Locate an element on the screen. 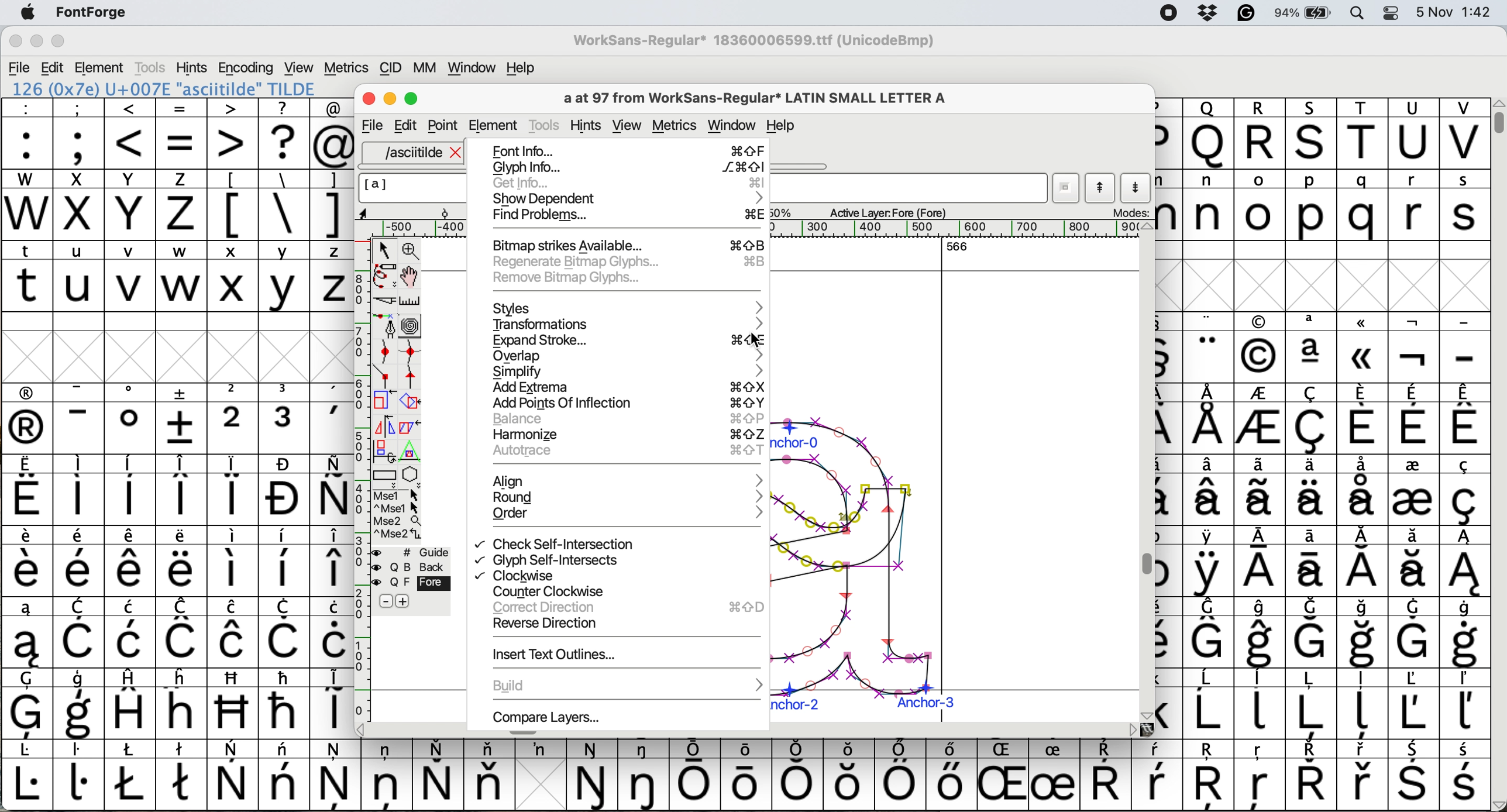  draw freehand curve is located at coordinates (384, 276).